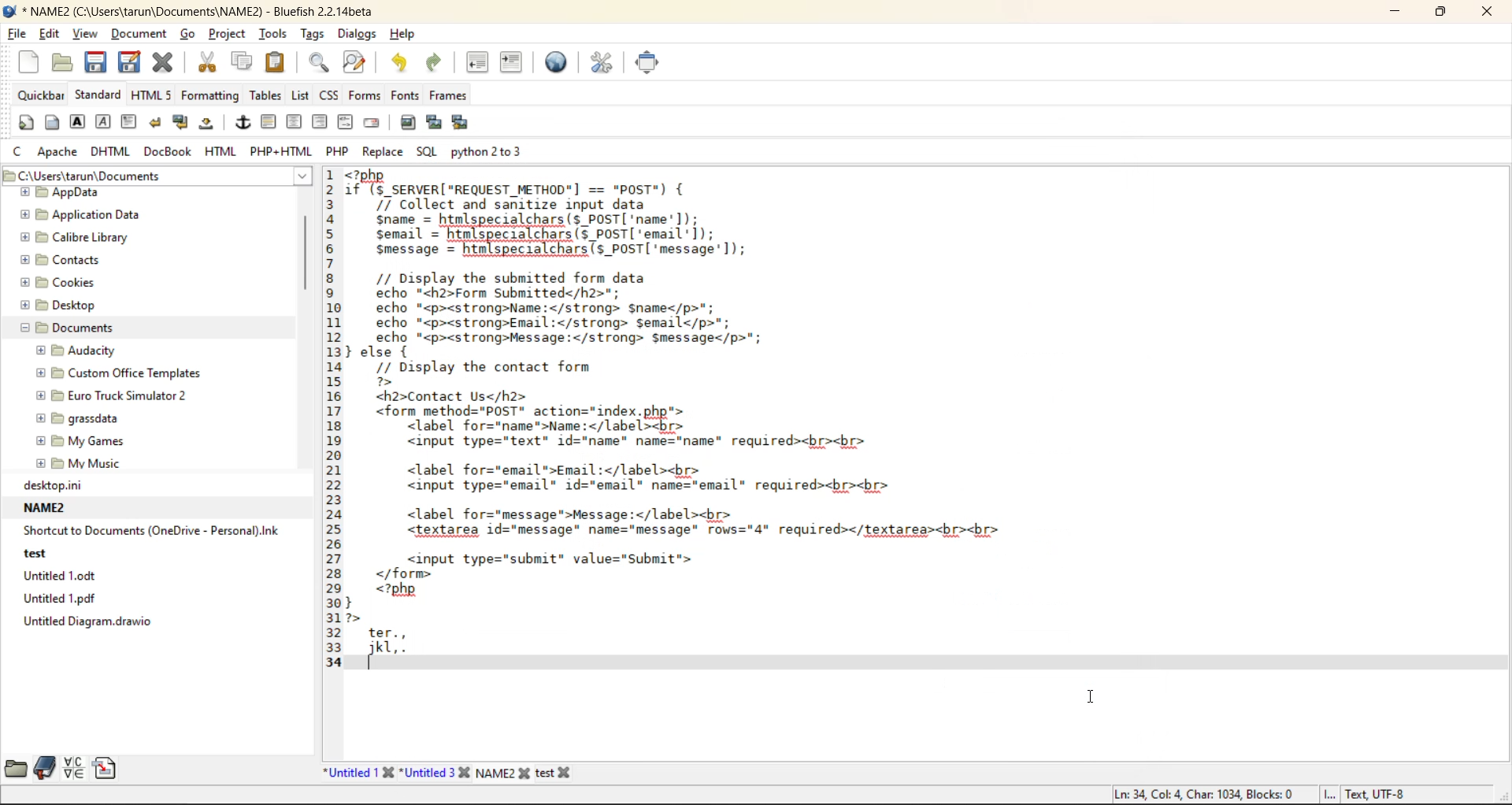  What do you see at coordinates (207, 62) in the screenshot?
I see `cut` at bounding box center [207, 62].